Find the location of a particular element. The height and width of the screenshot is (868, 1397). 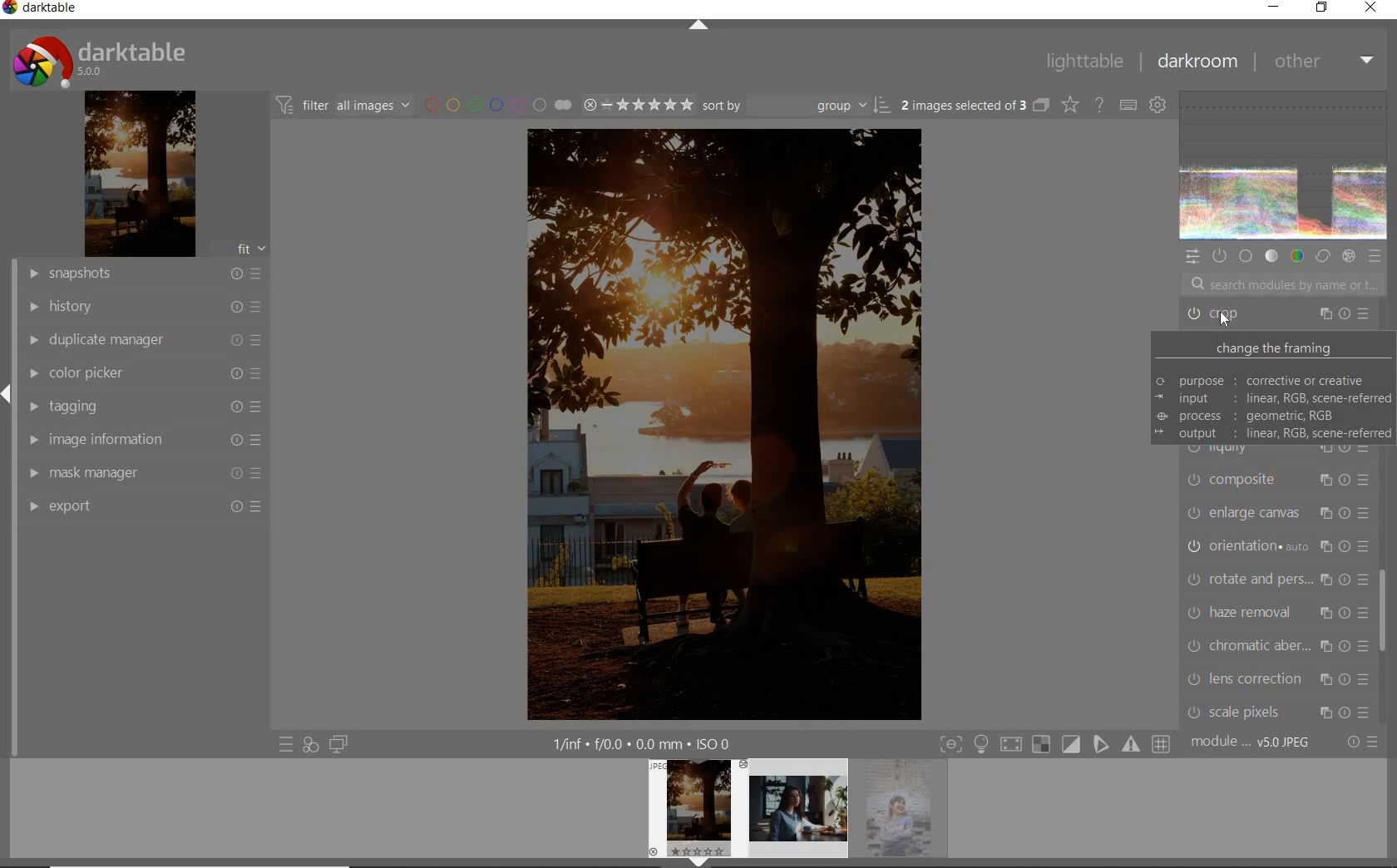

enable for online help is located at coordinates (1098, 104).